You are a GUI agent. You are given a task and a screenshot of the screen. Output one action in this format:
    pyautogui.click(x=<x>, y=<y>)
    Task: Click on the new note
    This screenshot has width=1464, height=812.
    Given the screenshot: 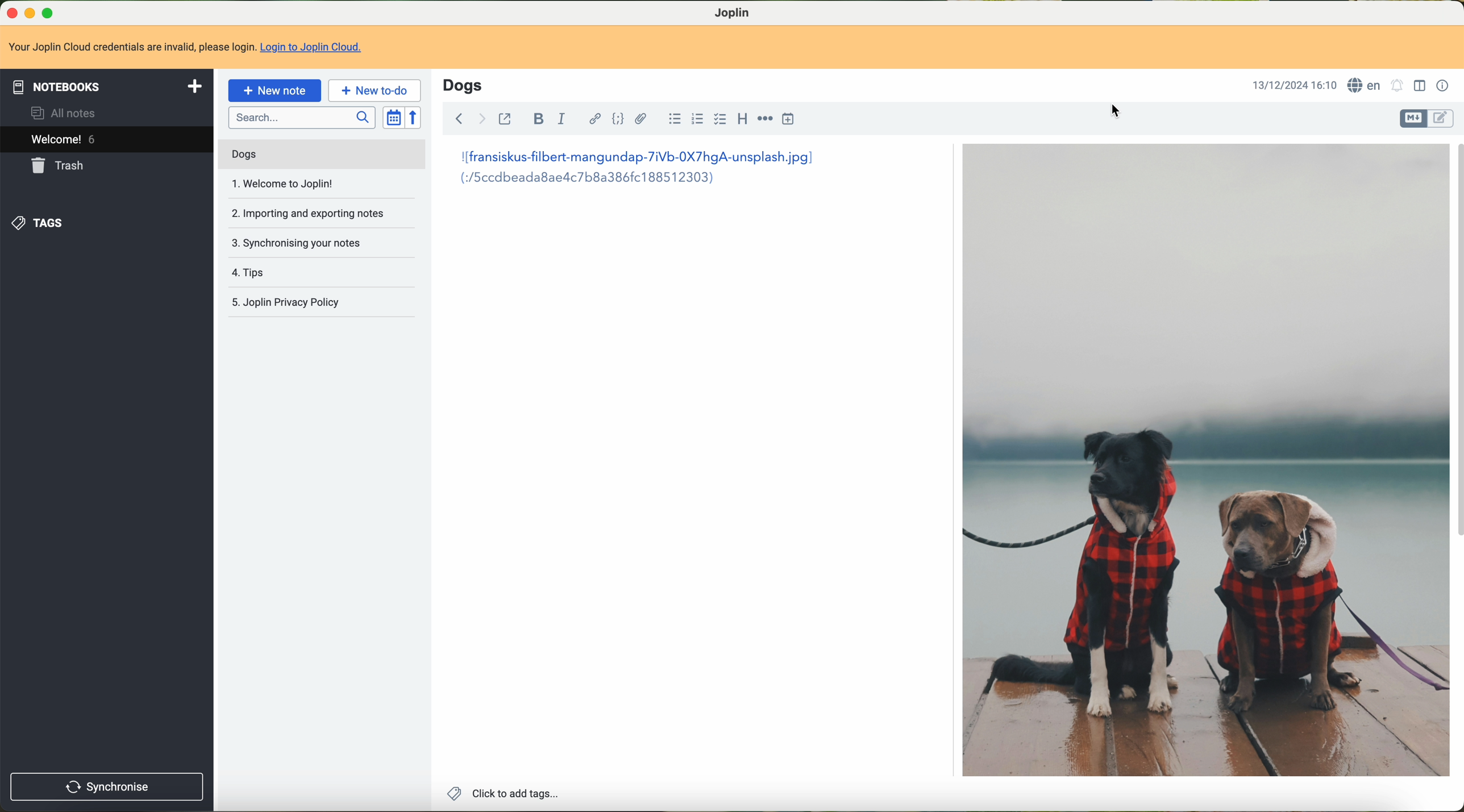 What is the action you would take?
    pyautogui.click(x=275, y=89)
    